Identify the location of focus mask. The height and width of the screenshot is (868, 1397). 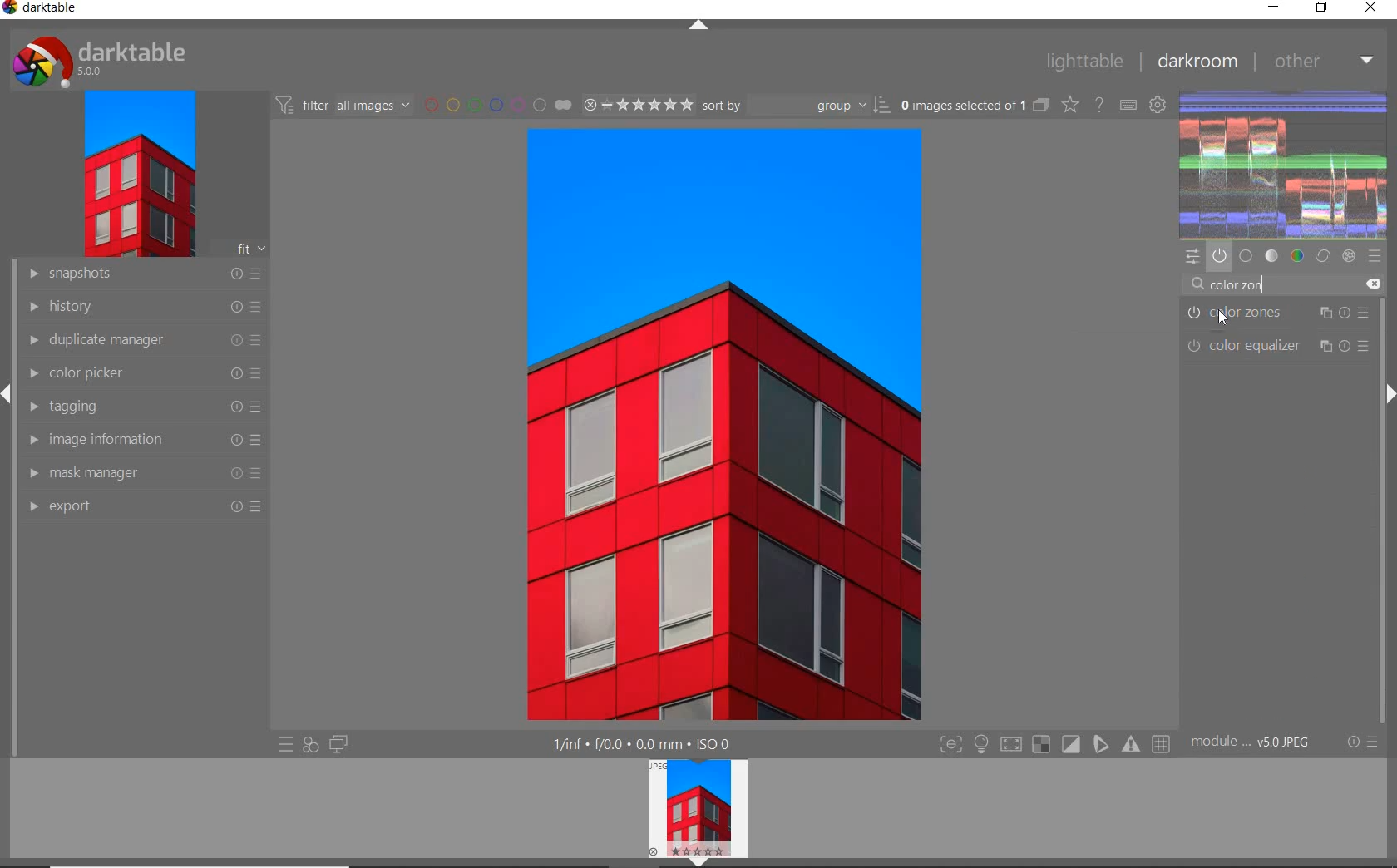
(1128, 745).